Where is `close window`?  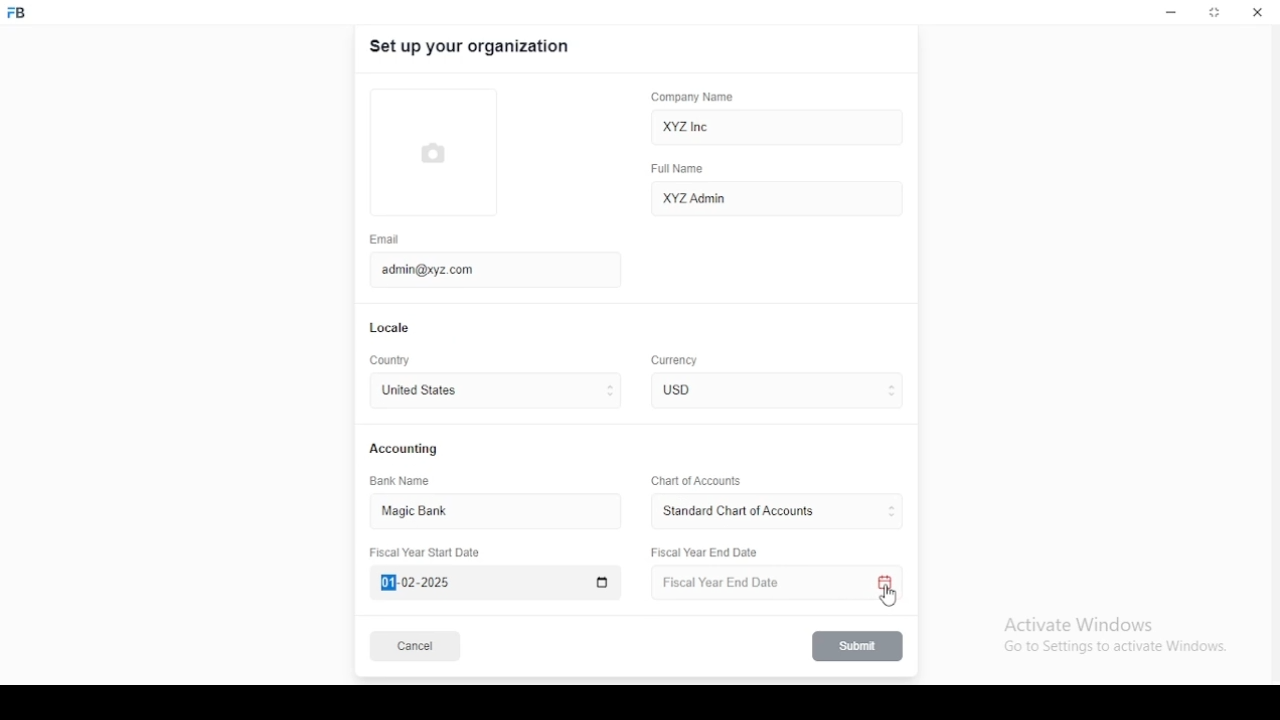
close window is located at coordinates (1255, 12).